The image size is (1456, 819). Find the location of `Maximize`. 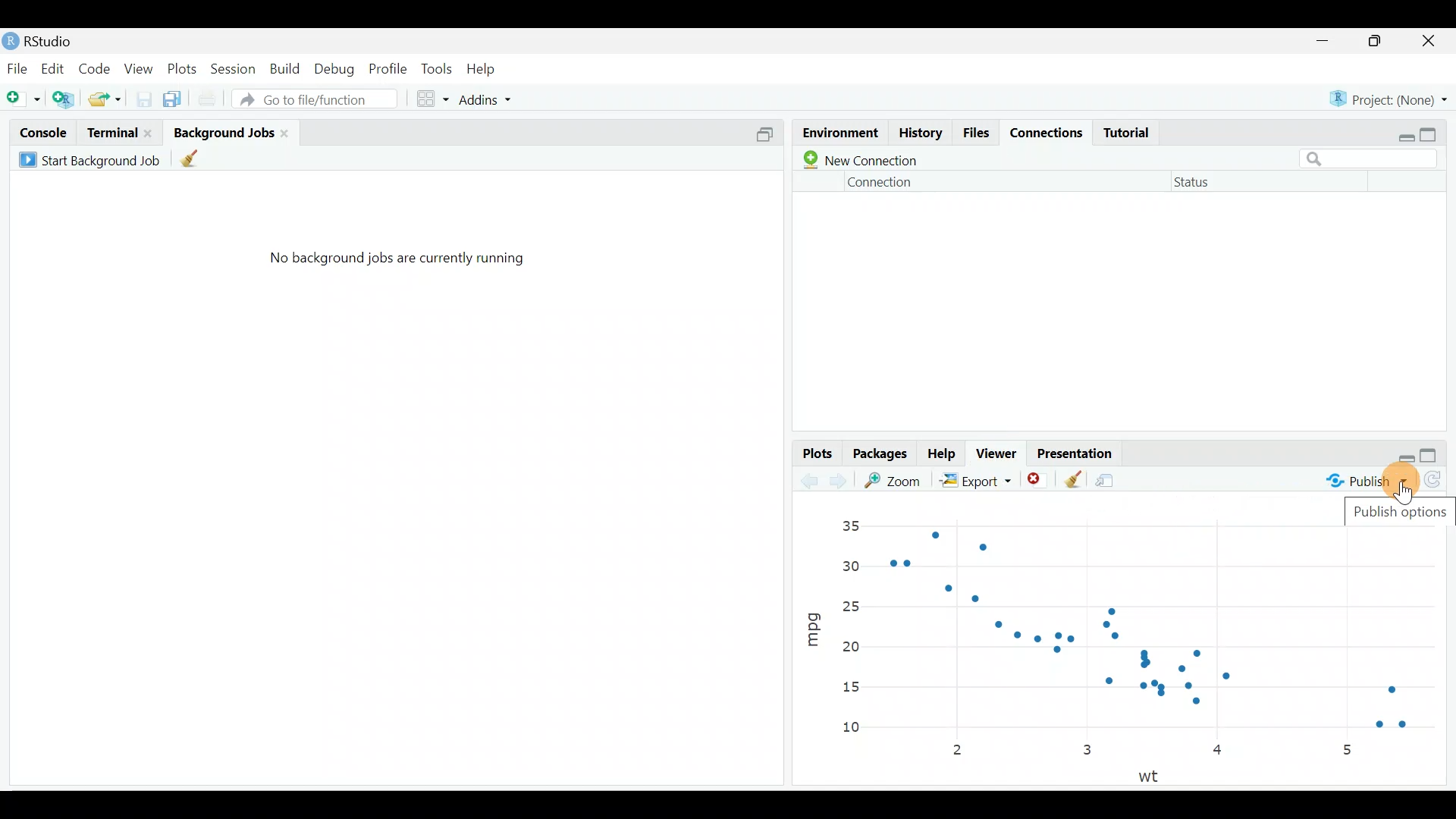

Maximize is located at coordinates (1439, 135).